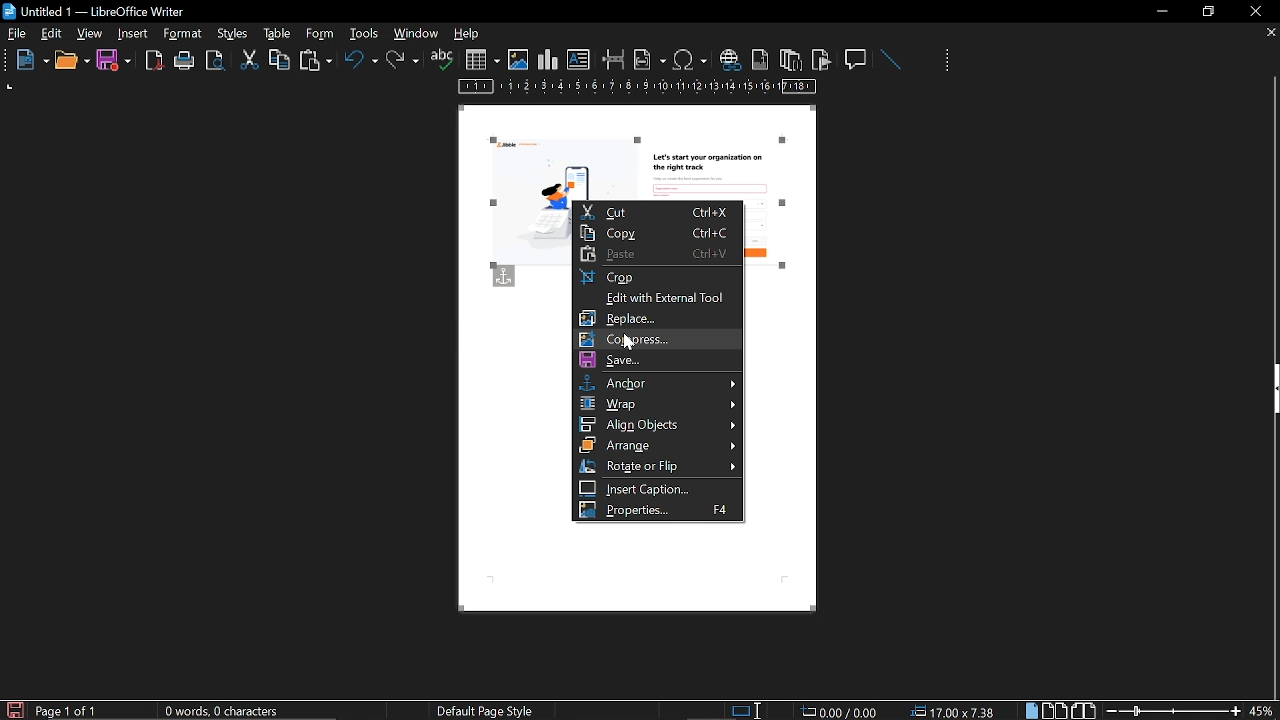 This screenshot has width=1280, height=720. What do you see at coordinates (579, 60) in the screenshot?
I see `insert text` at bounding box center [579, 60].